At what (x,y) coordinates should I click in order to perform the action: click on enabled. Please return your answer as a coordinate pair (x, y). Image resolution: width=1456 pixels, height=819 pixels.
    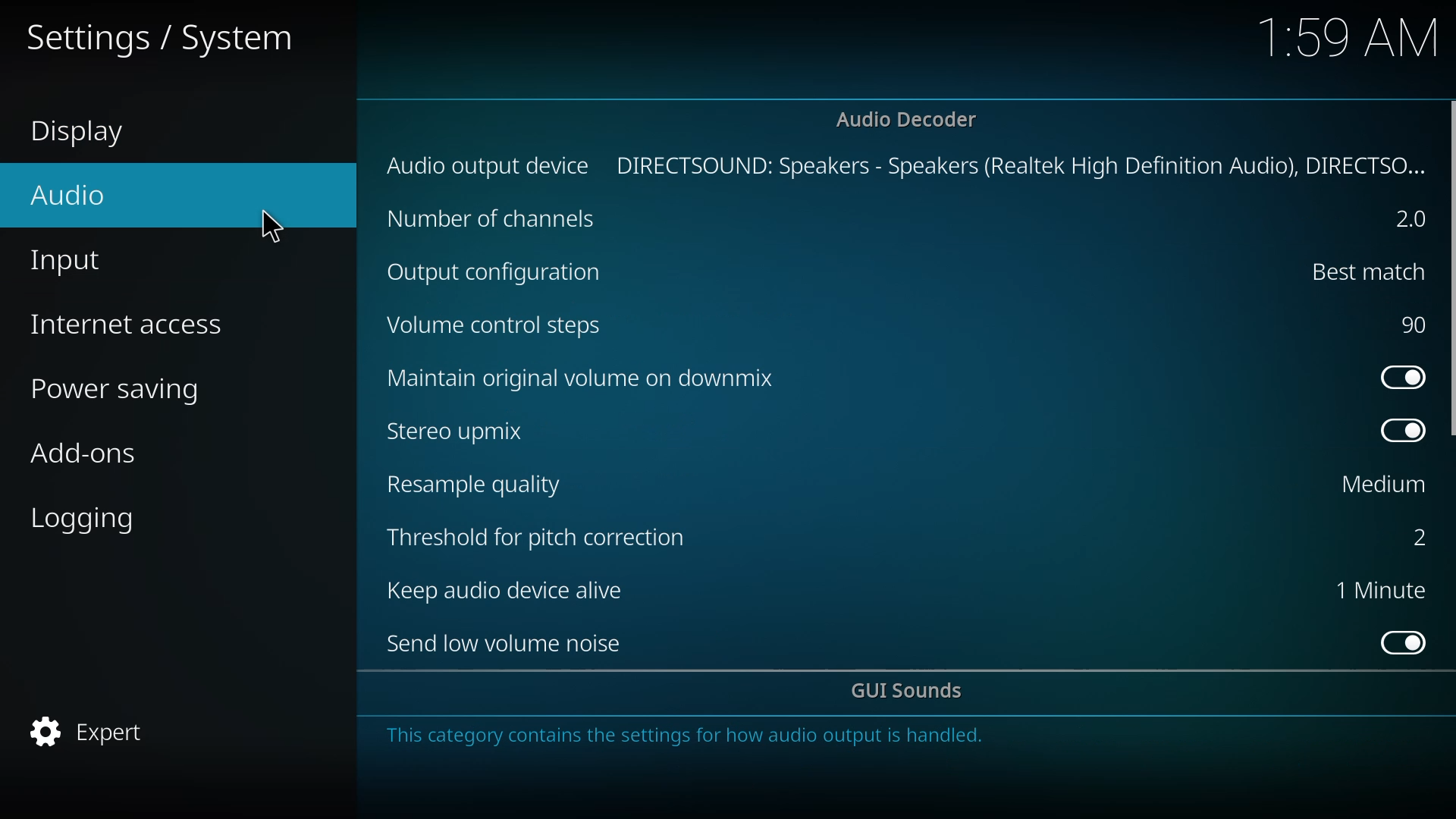
    Looking at the image, I should click on (1397, 430).